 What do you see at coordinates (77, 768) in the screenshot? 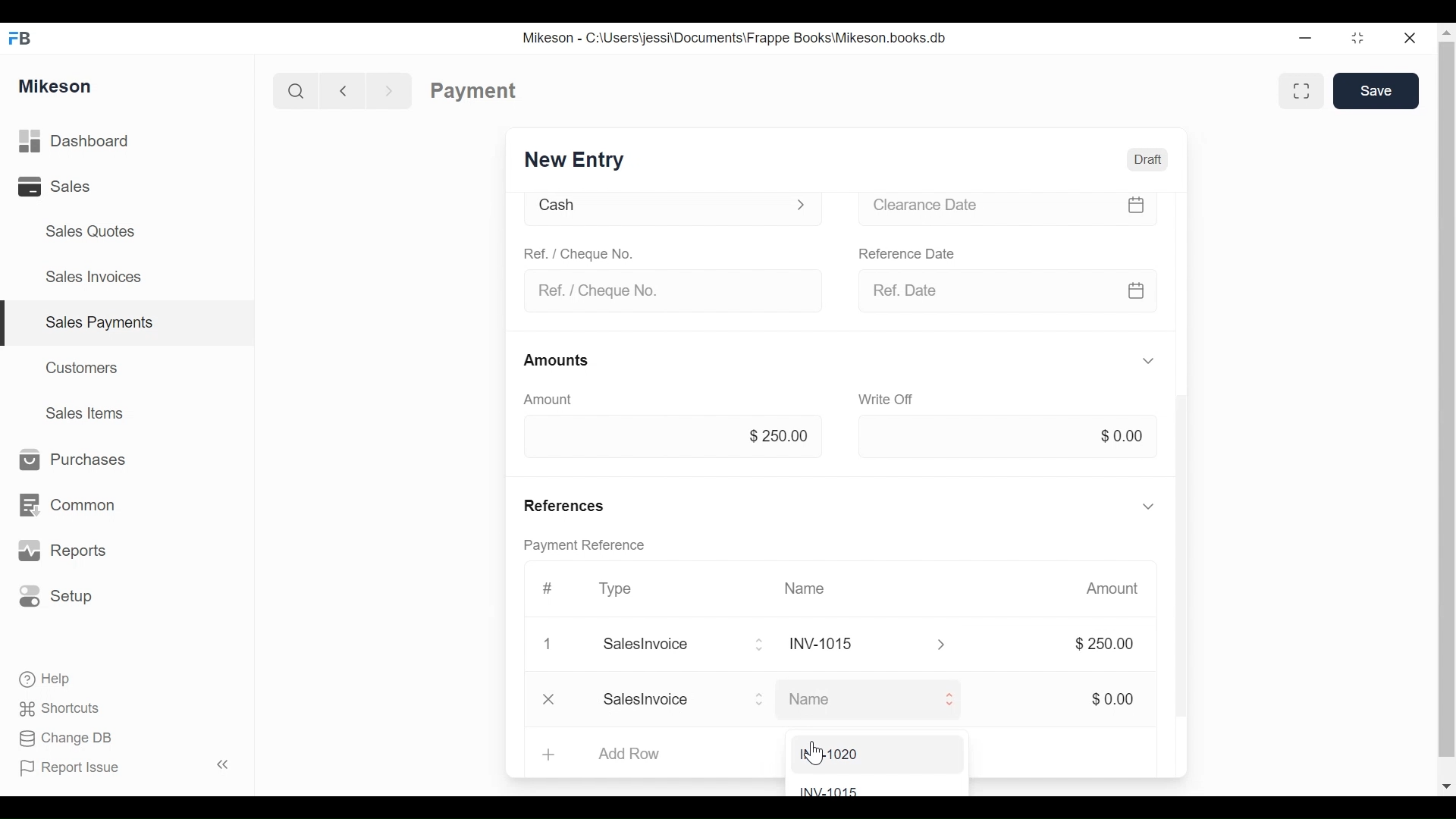
I see `Report Issue` at bounding box center [77, 768].